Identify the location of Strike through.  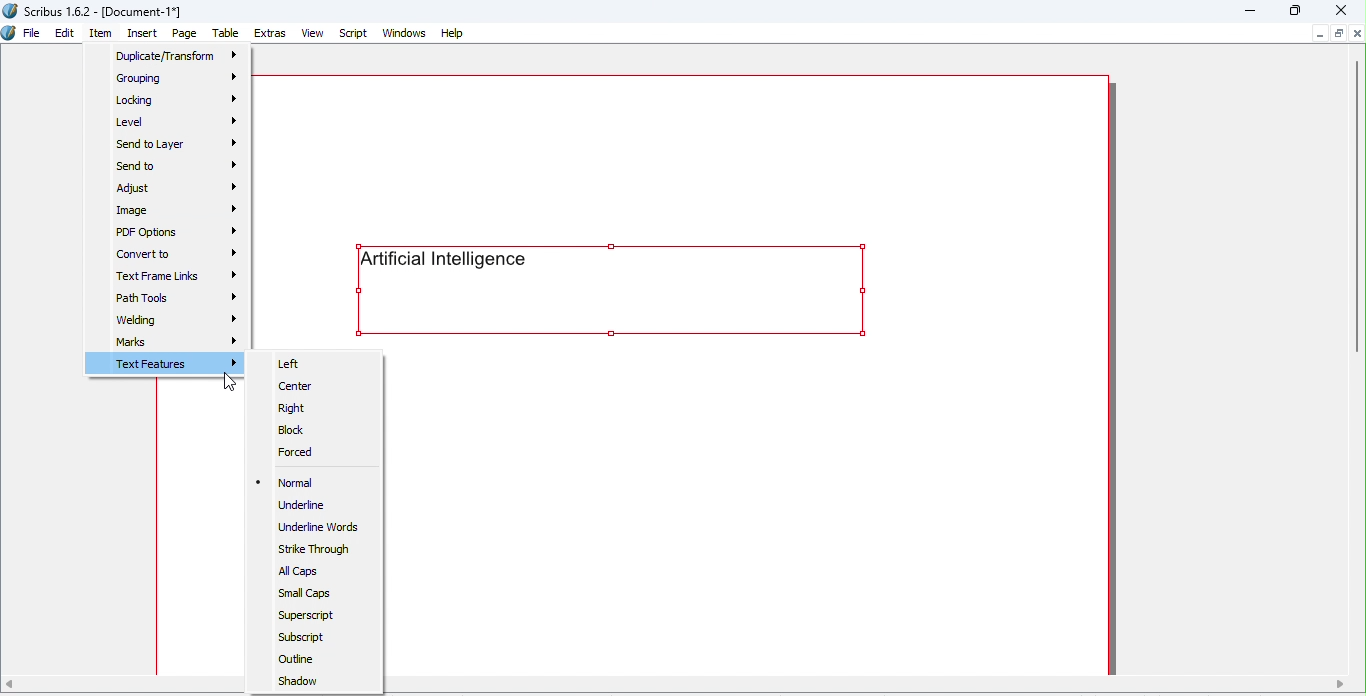
(314, 552).